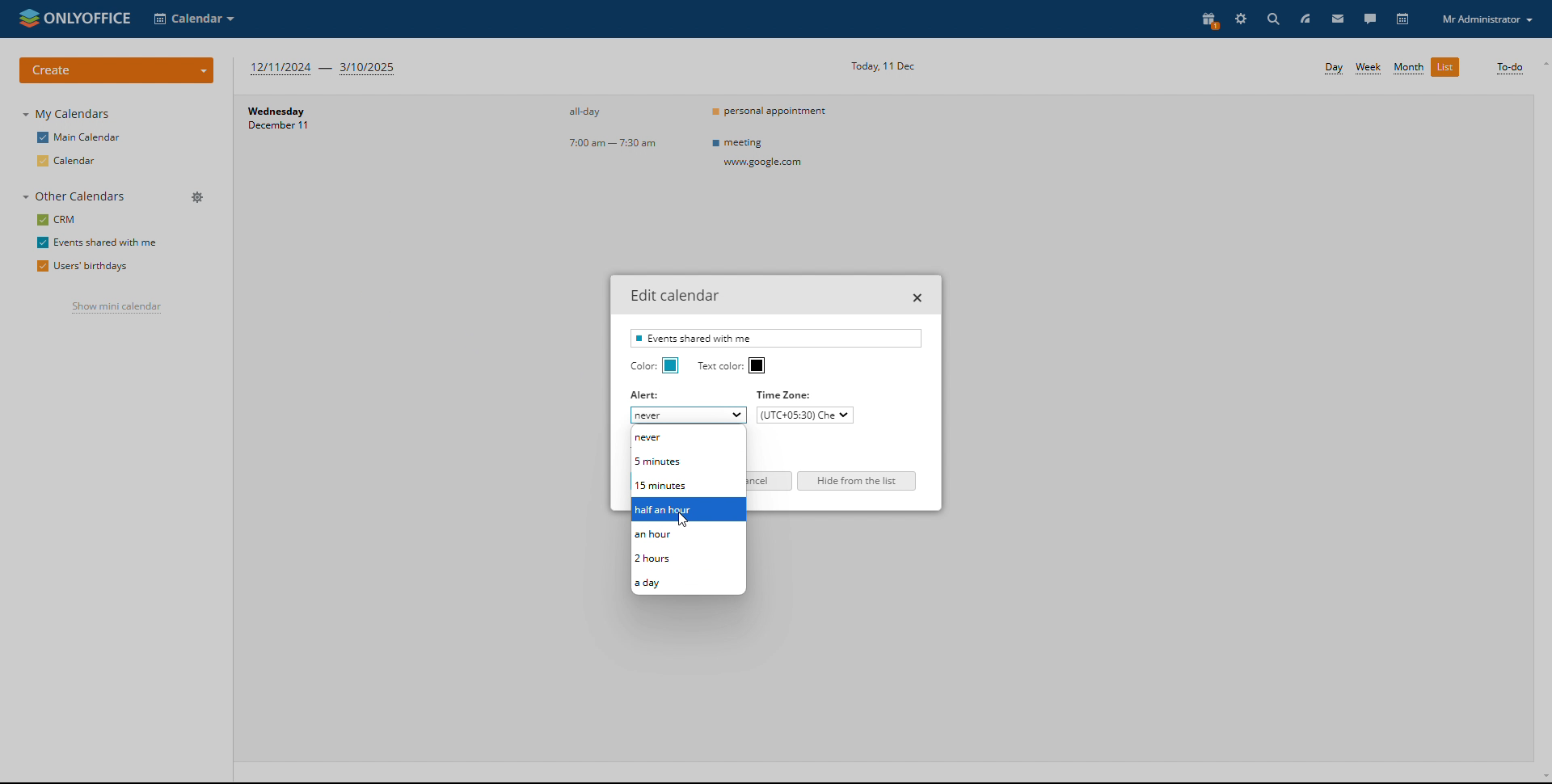 The image size is (1552, 784). Describe the element at coordinates (1369, 68) in the screenshot. I see `week view` at that location.